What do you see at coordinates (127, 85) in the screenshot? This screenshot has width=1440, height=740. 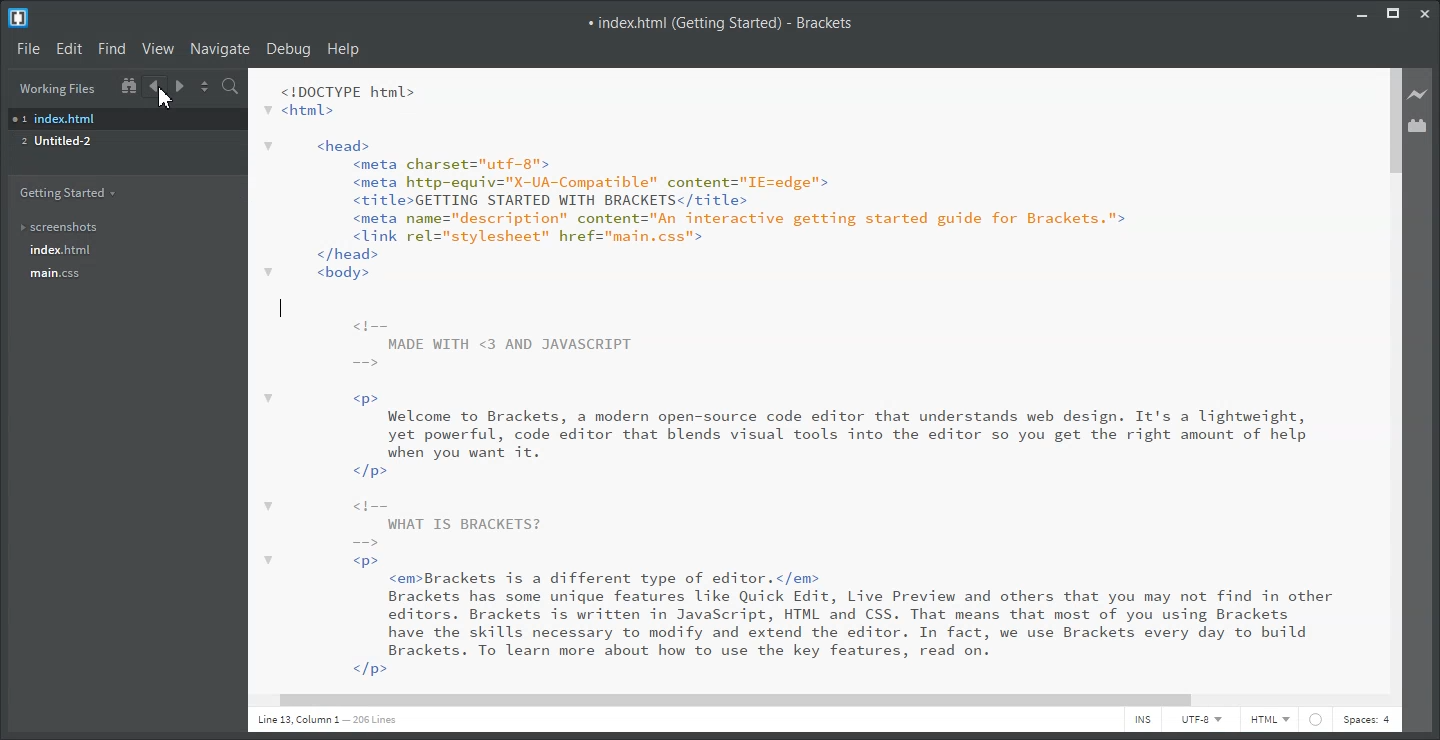 I see `Show in the file Tree` at bounding box center [127, 85].